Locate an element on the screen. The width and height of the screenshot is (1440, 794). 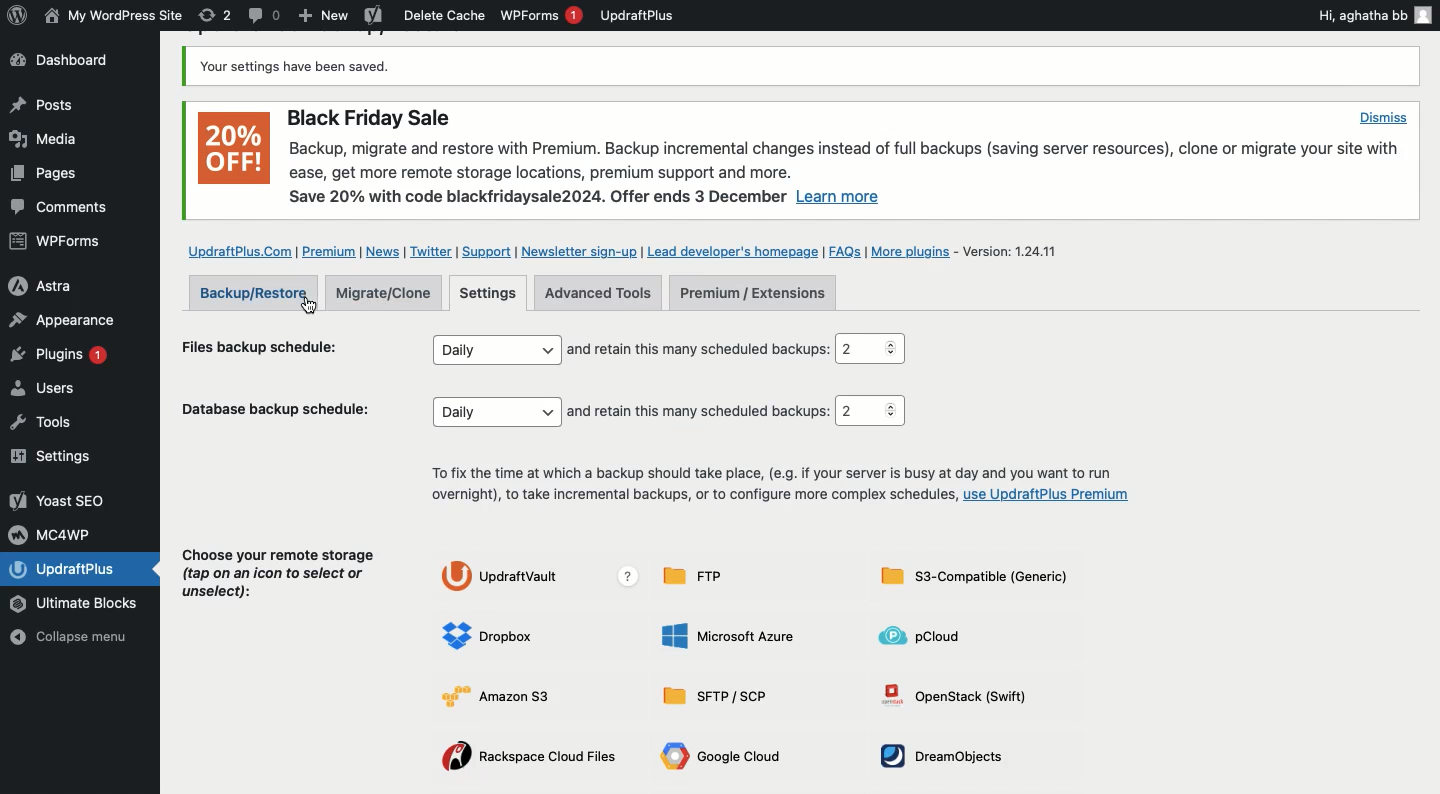
Your settings have been saved. is located at coordinates (297, 68).